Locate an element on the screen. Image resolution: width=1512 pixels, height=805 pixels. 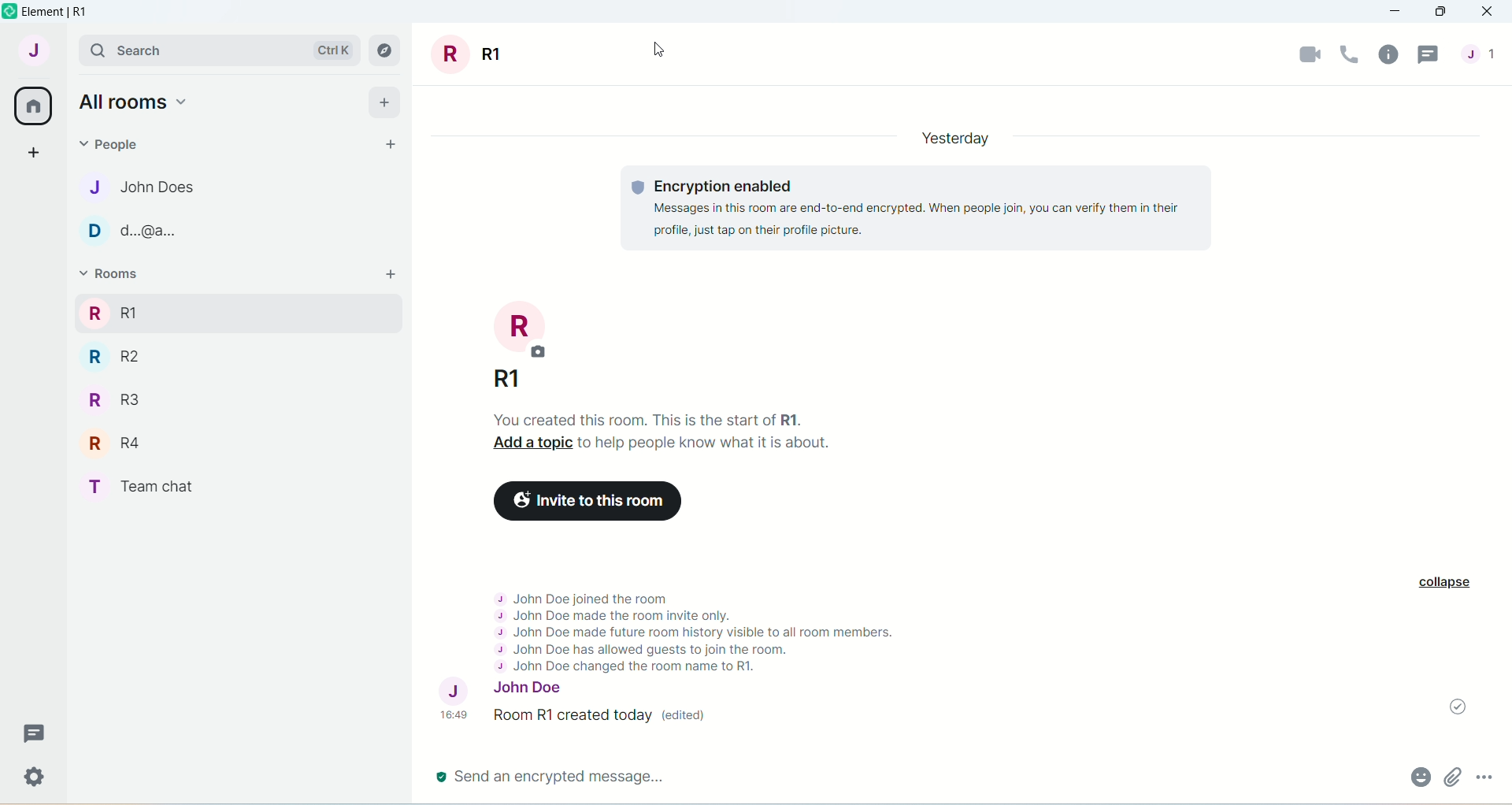
video call is located at coordinates (1306, 57).